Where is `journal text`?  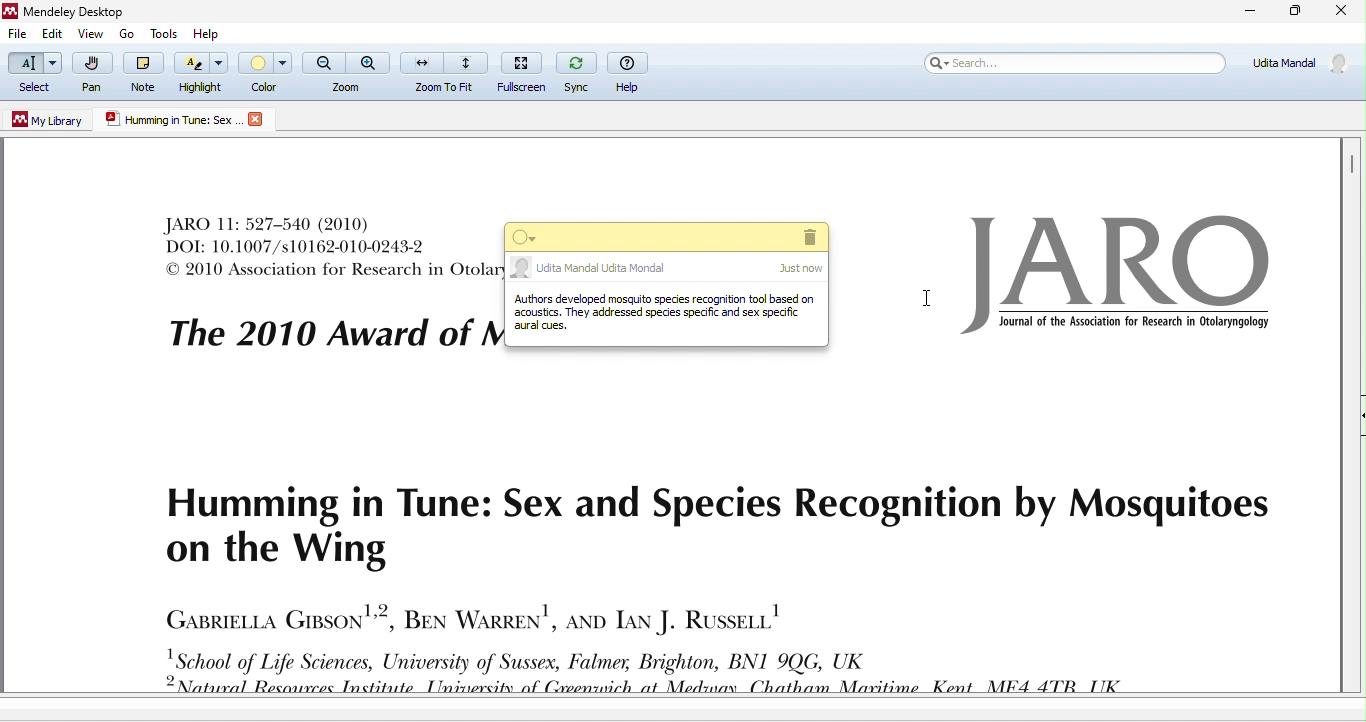 journal text is located at coordinates (746, 583).